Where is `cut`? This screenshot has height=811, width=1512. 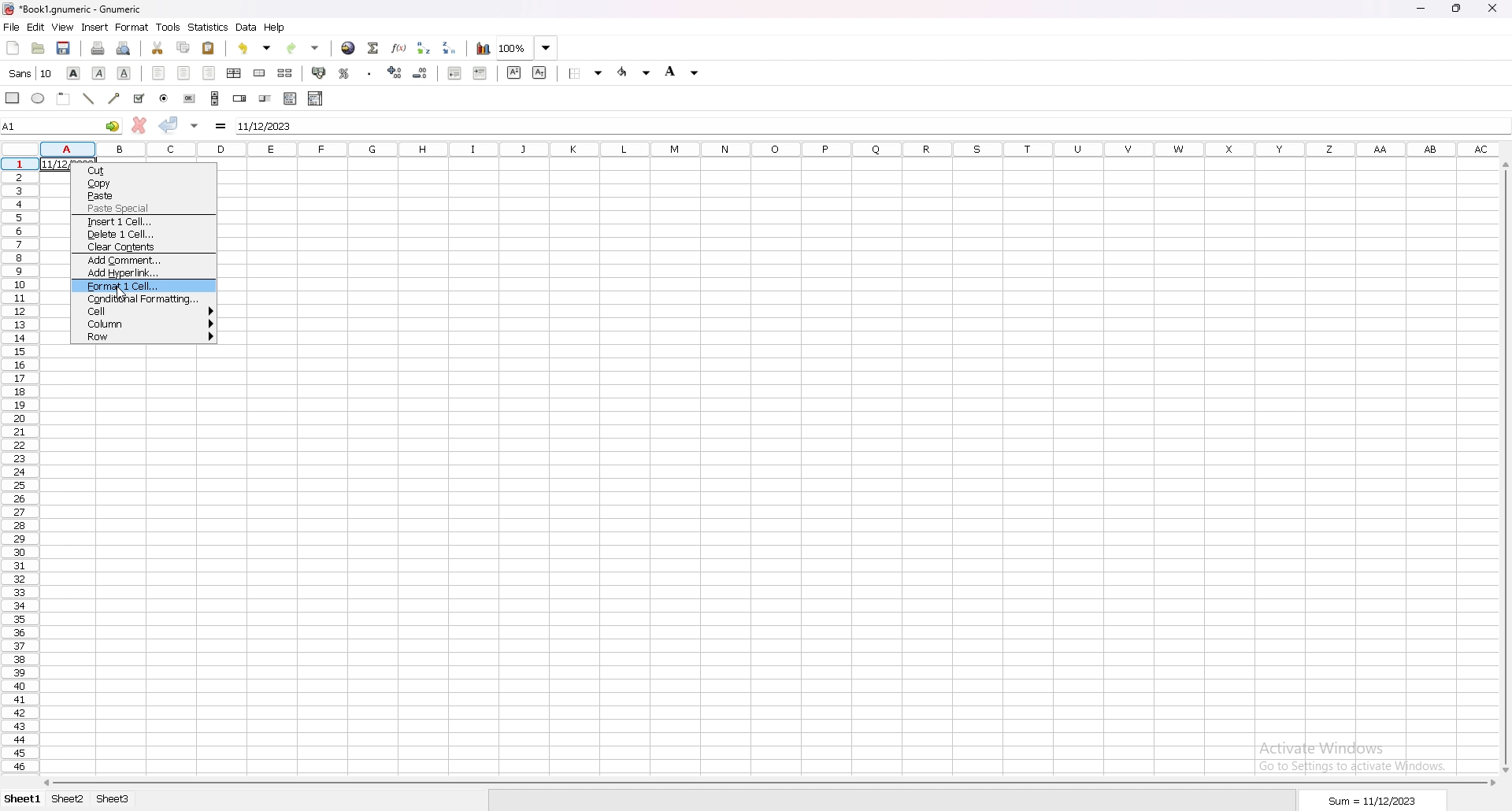 cut is located at coordinates (157, 48).